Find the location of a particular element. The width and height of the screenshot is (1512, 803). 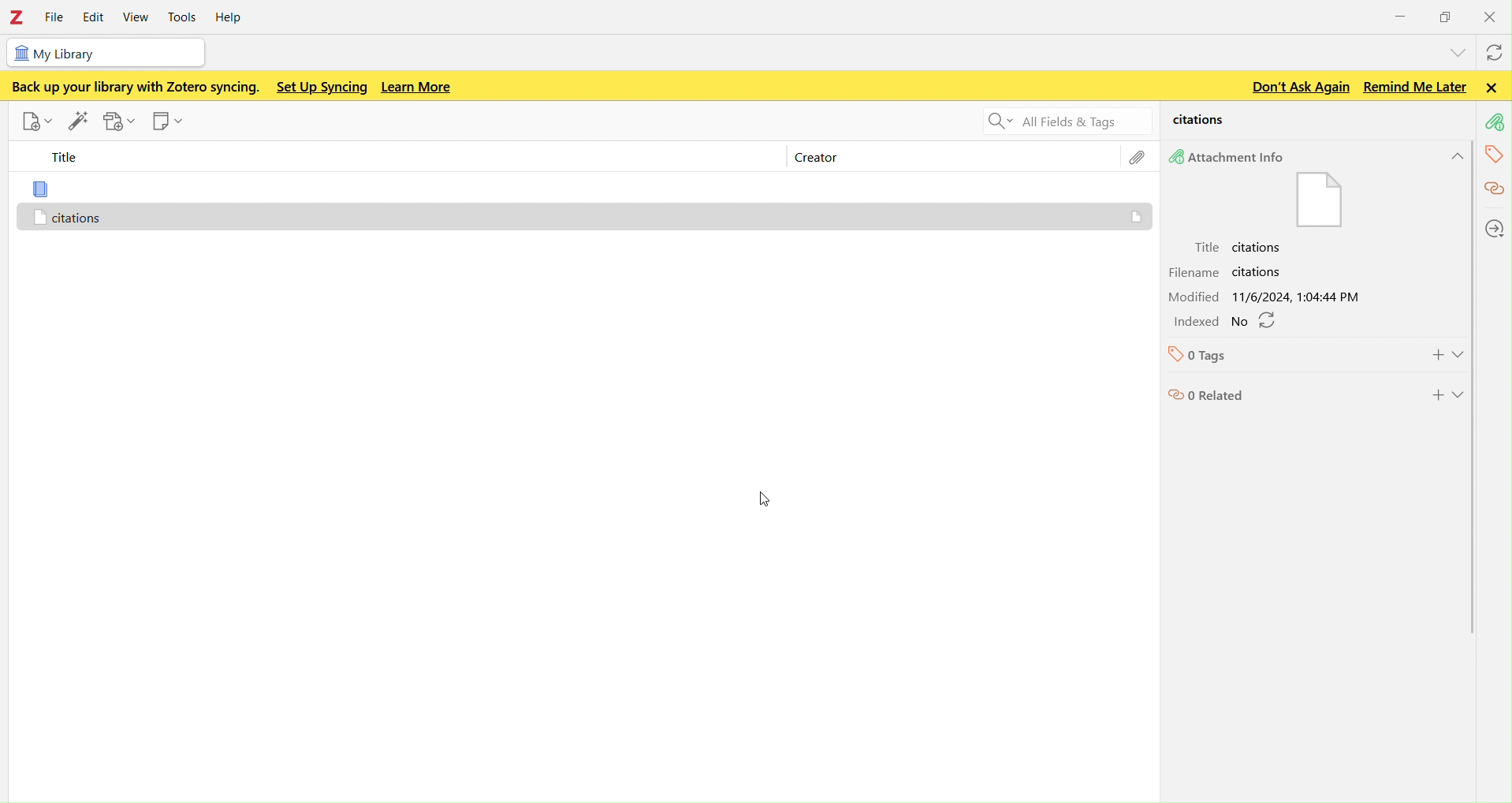

Modified is located at coordinates (1194, 297).